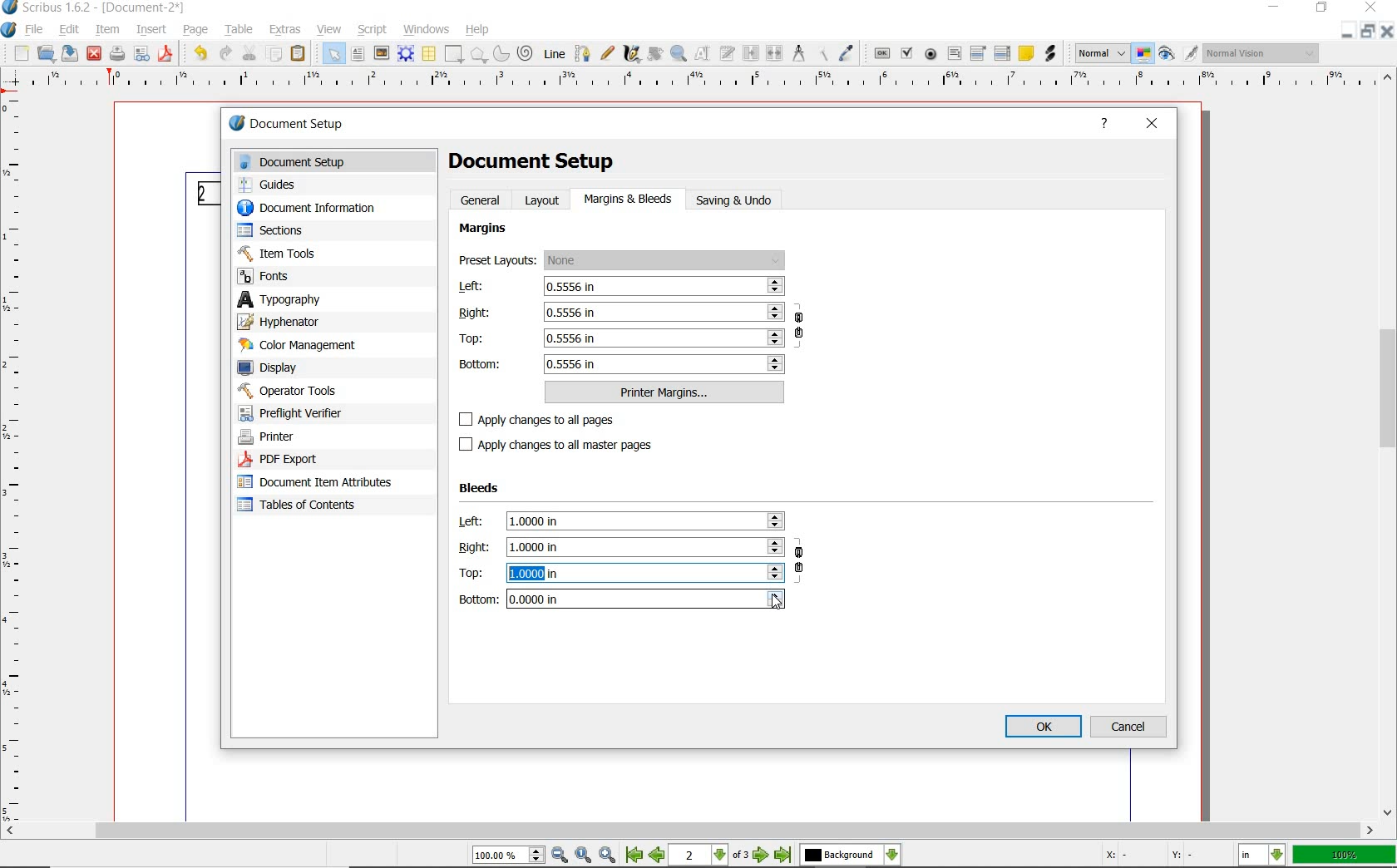  Describe the element at coordinates (728, 53) in the screenshot. I see `edit text with story editor` at that location.